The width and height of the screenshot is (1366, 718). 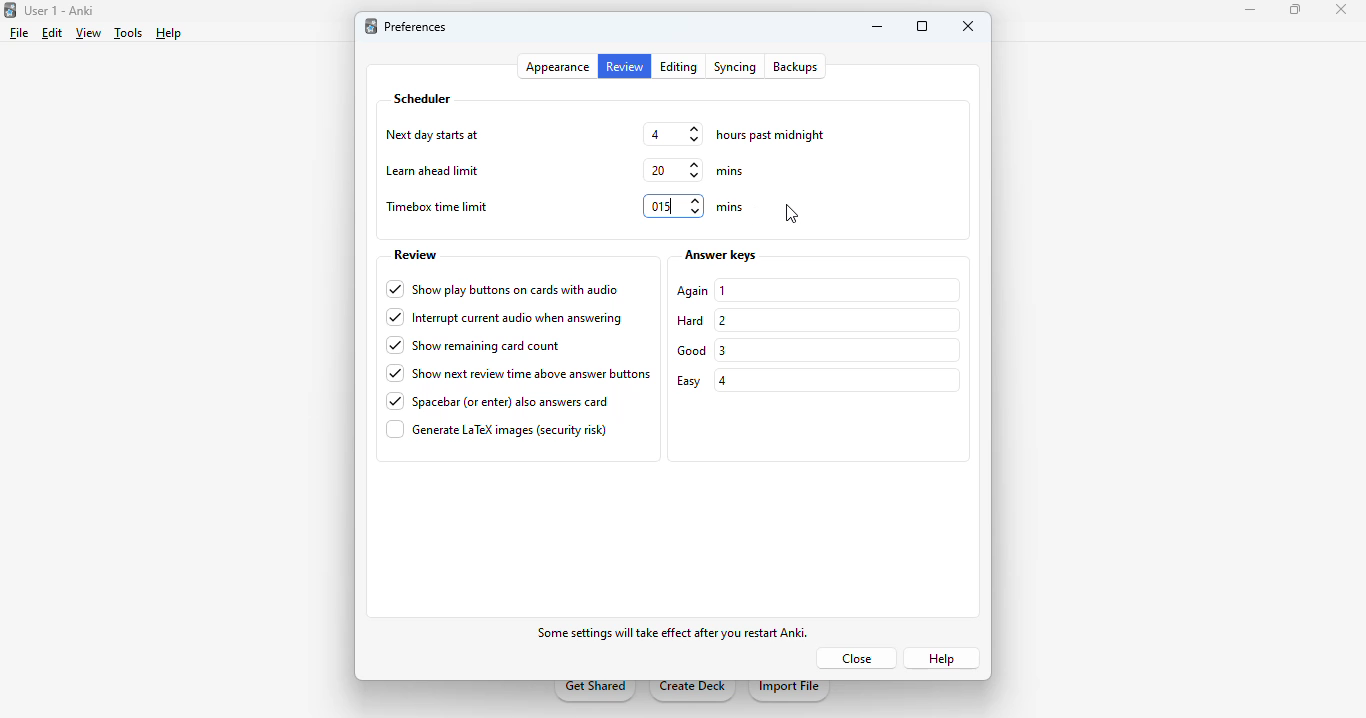 I want to click on 3, so click(x=724, y=351).